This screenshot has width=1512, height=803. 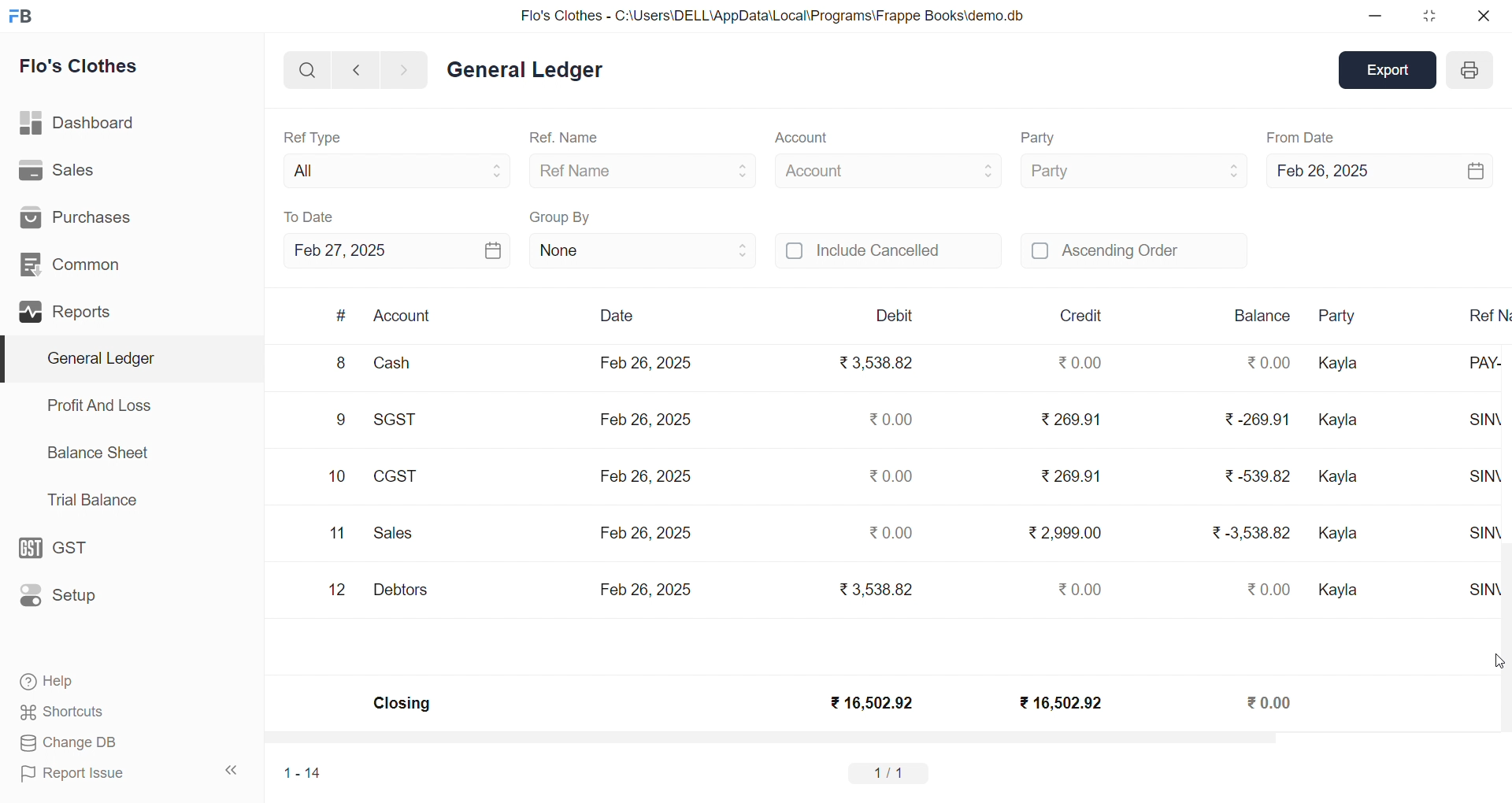 I want to click on ₹ 0.00, so click(x=1266, y=362).